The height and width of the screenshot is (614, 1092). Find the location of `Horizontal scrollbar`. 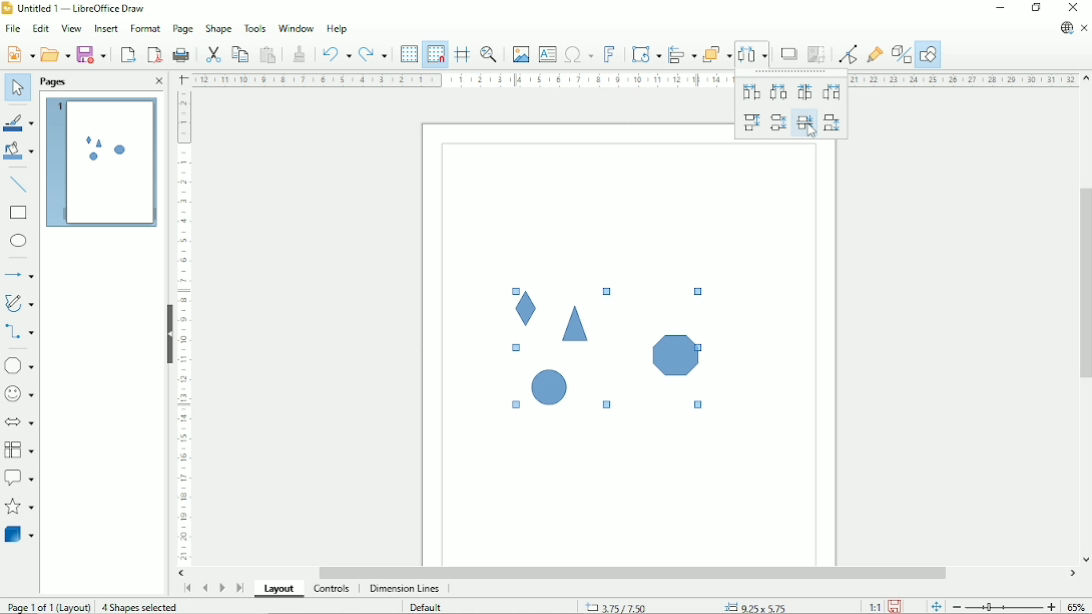

Horizontal scrollbar is located at coordinates (635, 572).